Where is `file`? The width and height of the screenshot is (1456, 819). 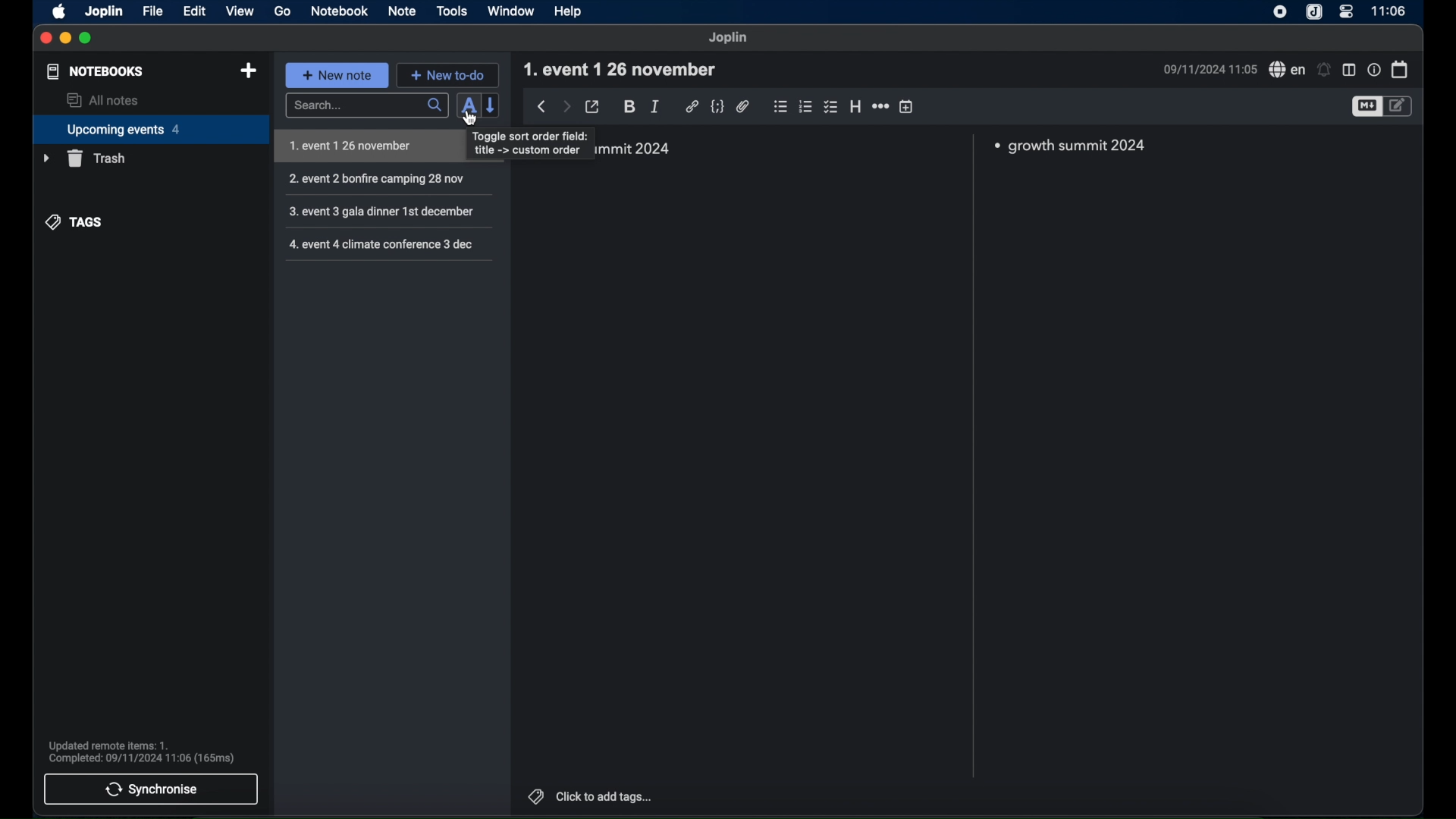
file is located at coordinates (154, 11).